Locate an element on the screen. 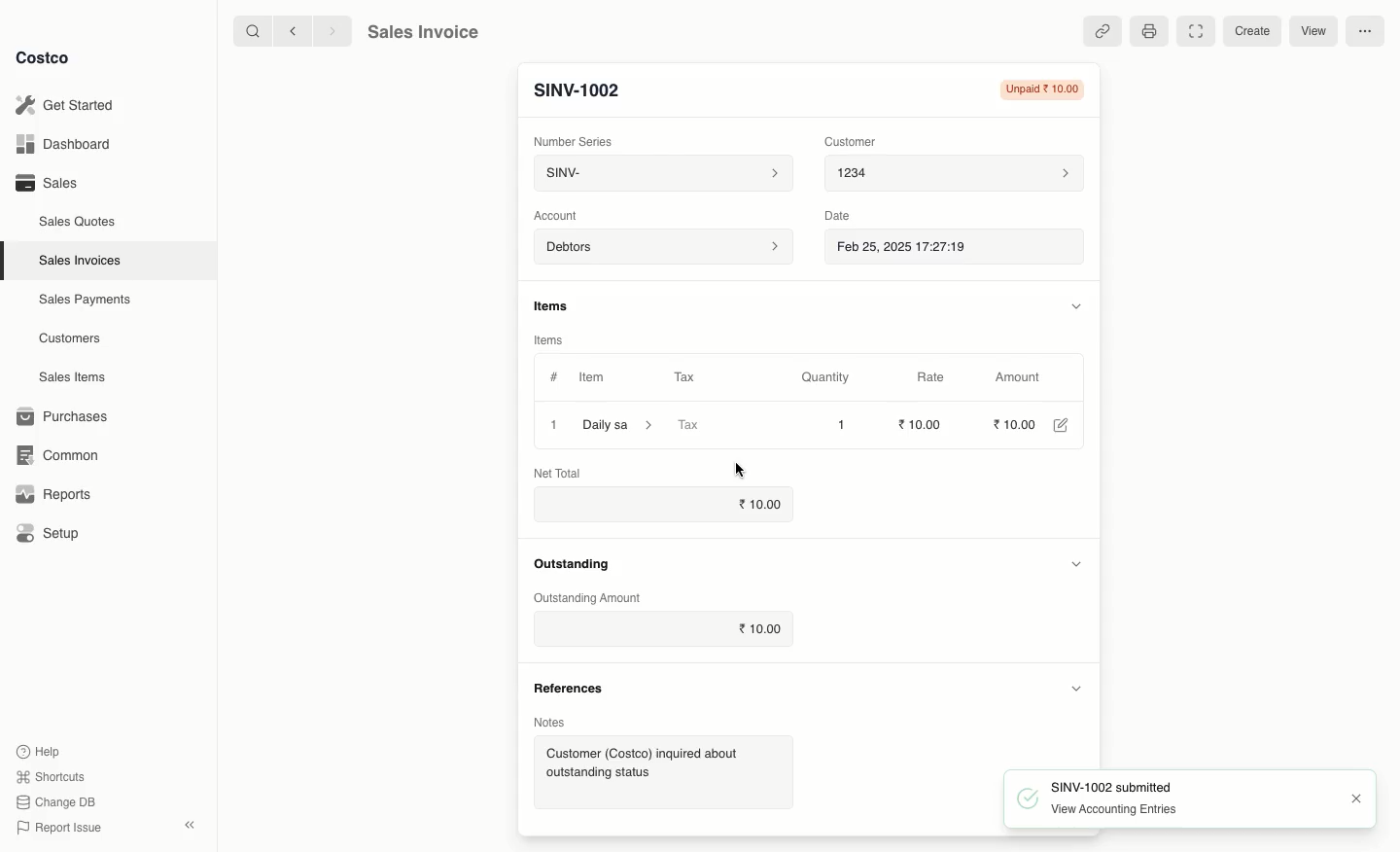 This screenshot has width=1400, height=852. 10.00 is located at coordinates (756, 503).